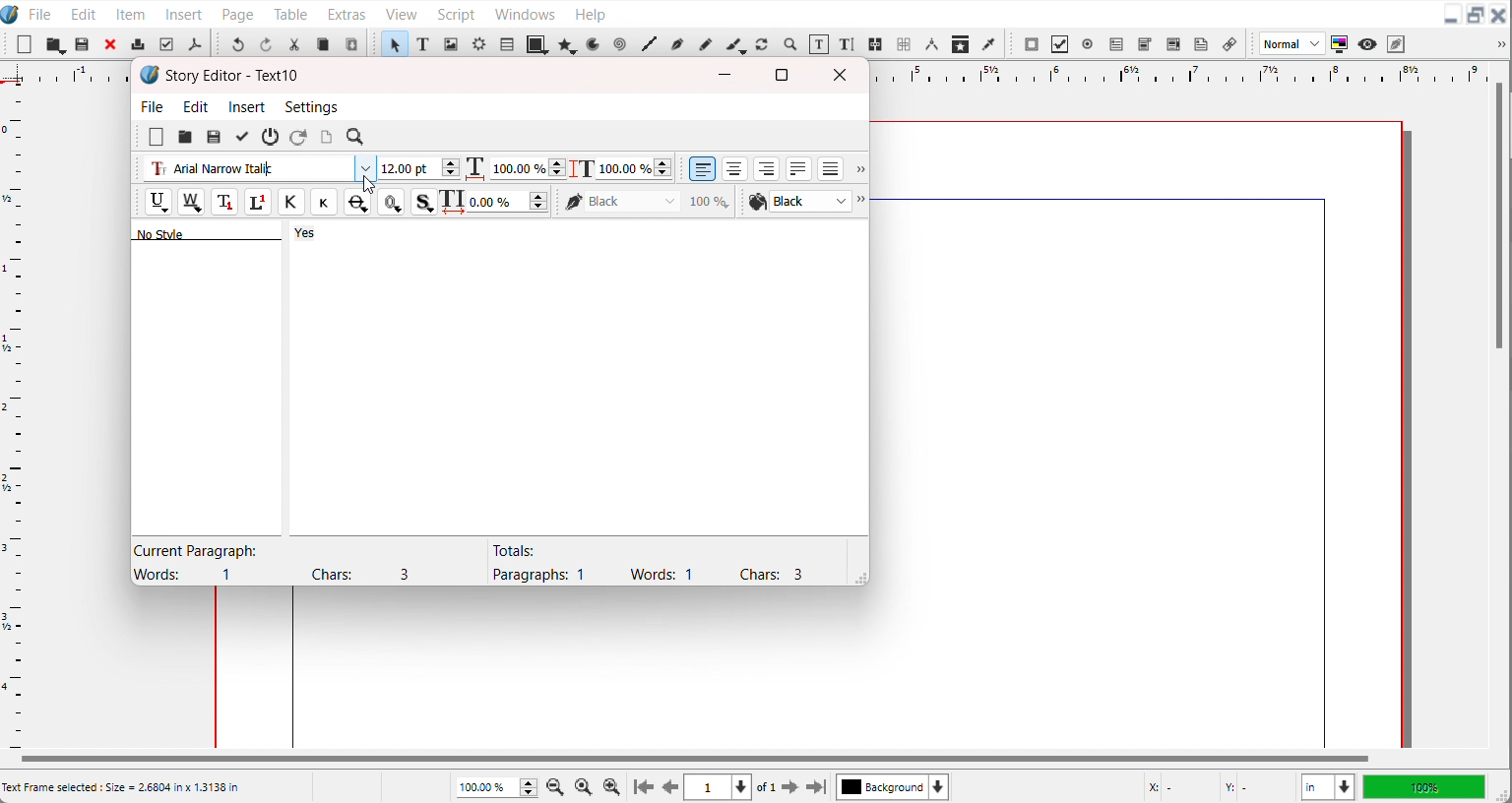  Describe the element at coordinates (990, 43) in the screenshot. I see `Eye Dropper` at that location.